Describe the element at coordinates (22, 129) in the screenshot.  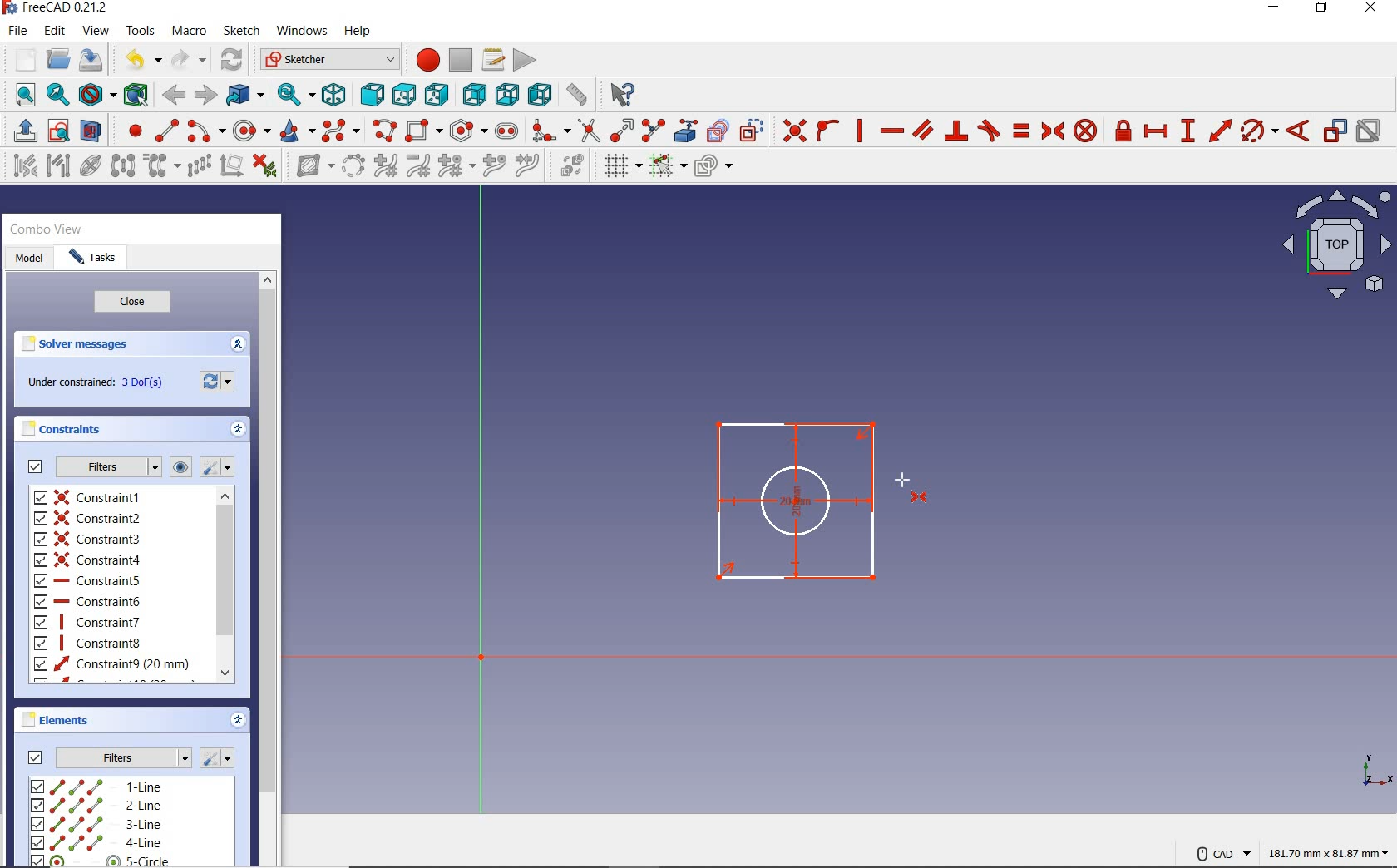
I see `leave sketch` at that location.